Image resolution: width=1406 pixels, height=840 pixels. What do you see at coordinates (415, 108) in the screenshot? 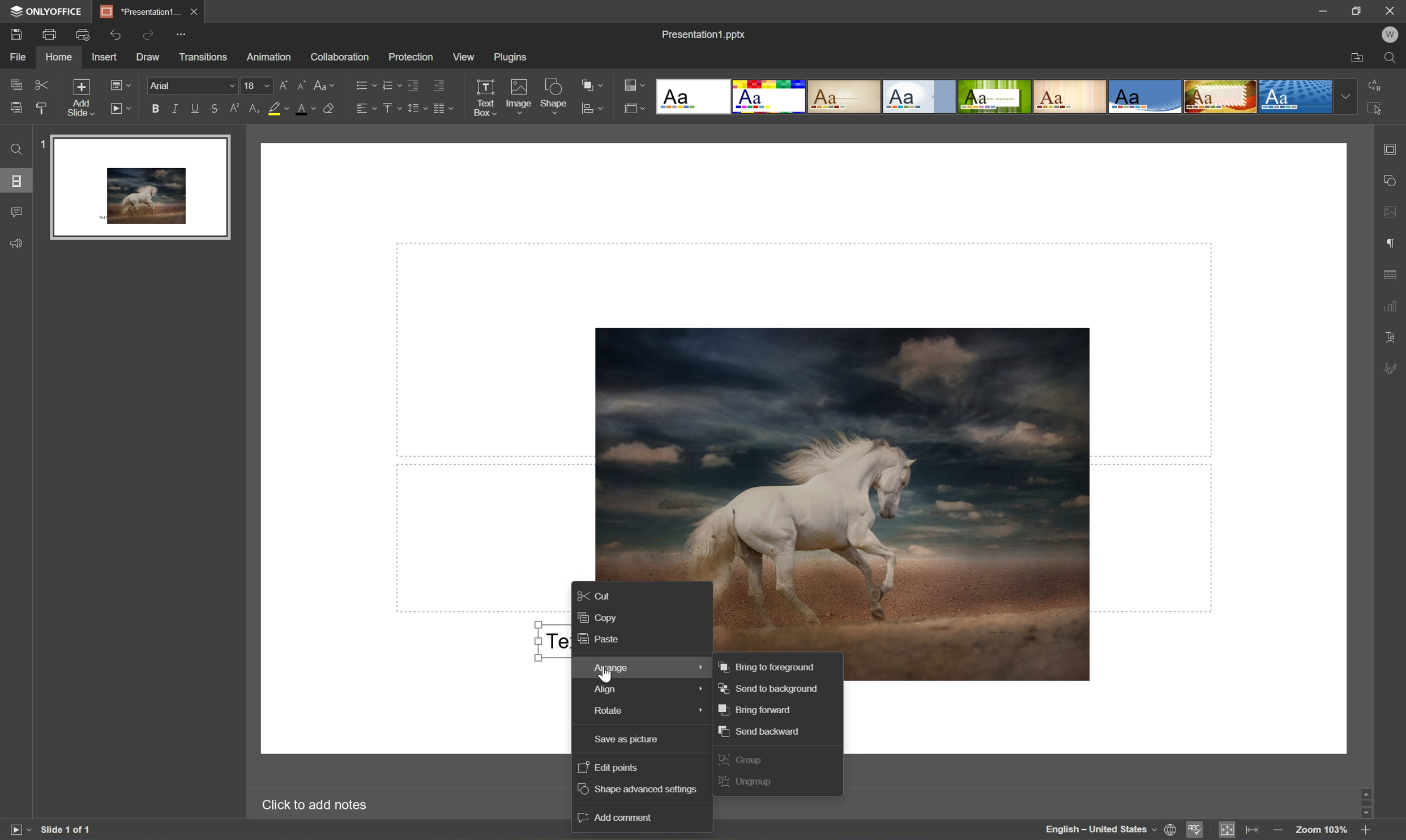
I see `Line spacing` at bounding box center [415, 108].